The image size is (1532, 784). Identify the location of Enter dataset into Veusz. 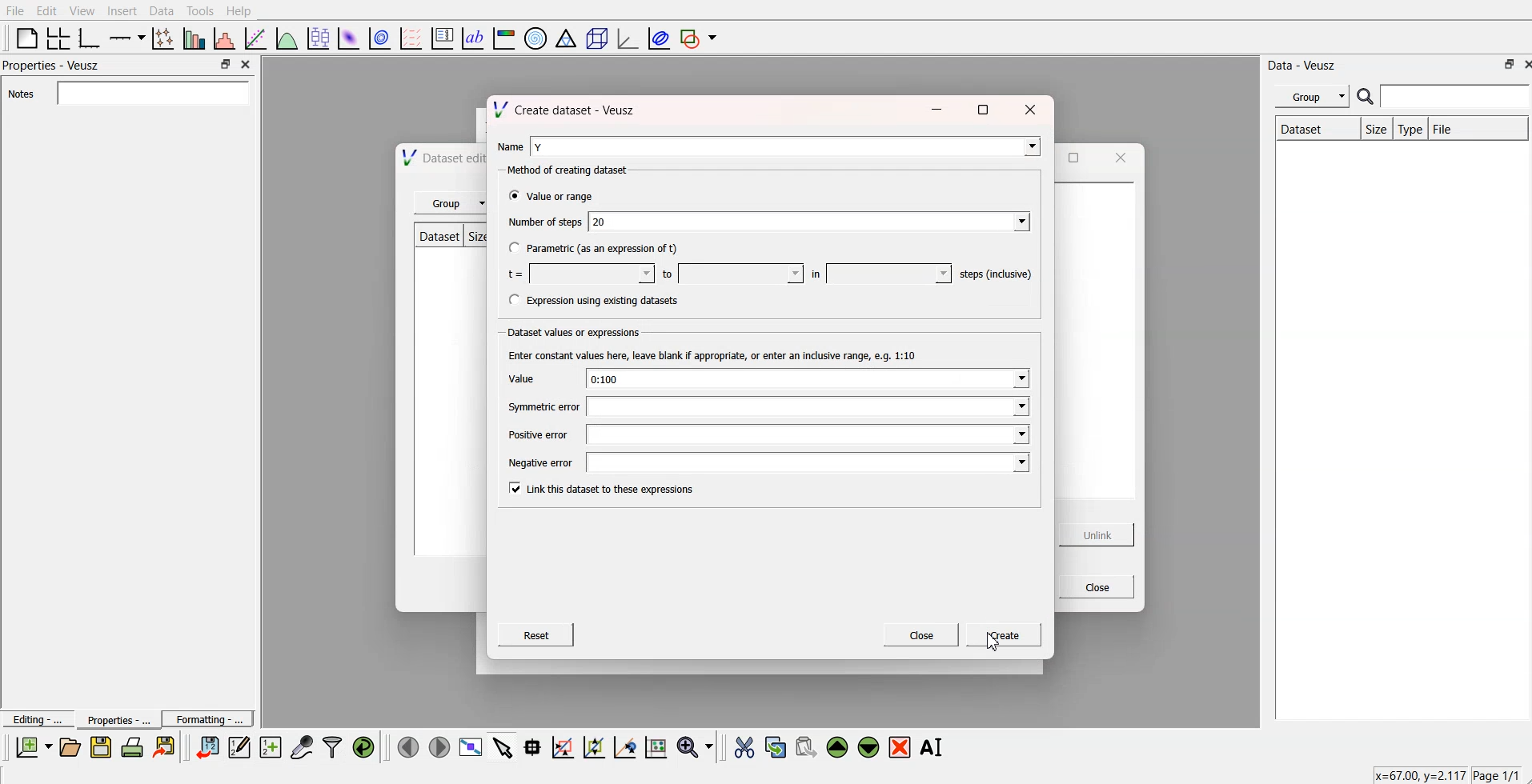
(206, 747).